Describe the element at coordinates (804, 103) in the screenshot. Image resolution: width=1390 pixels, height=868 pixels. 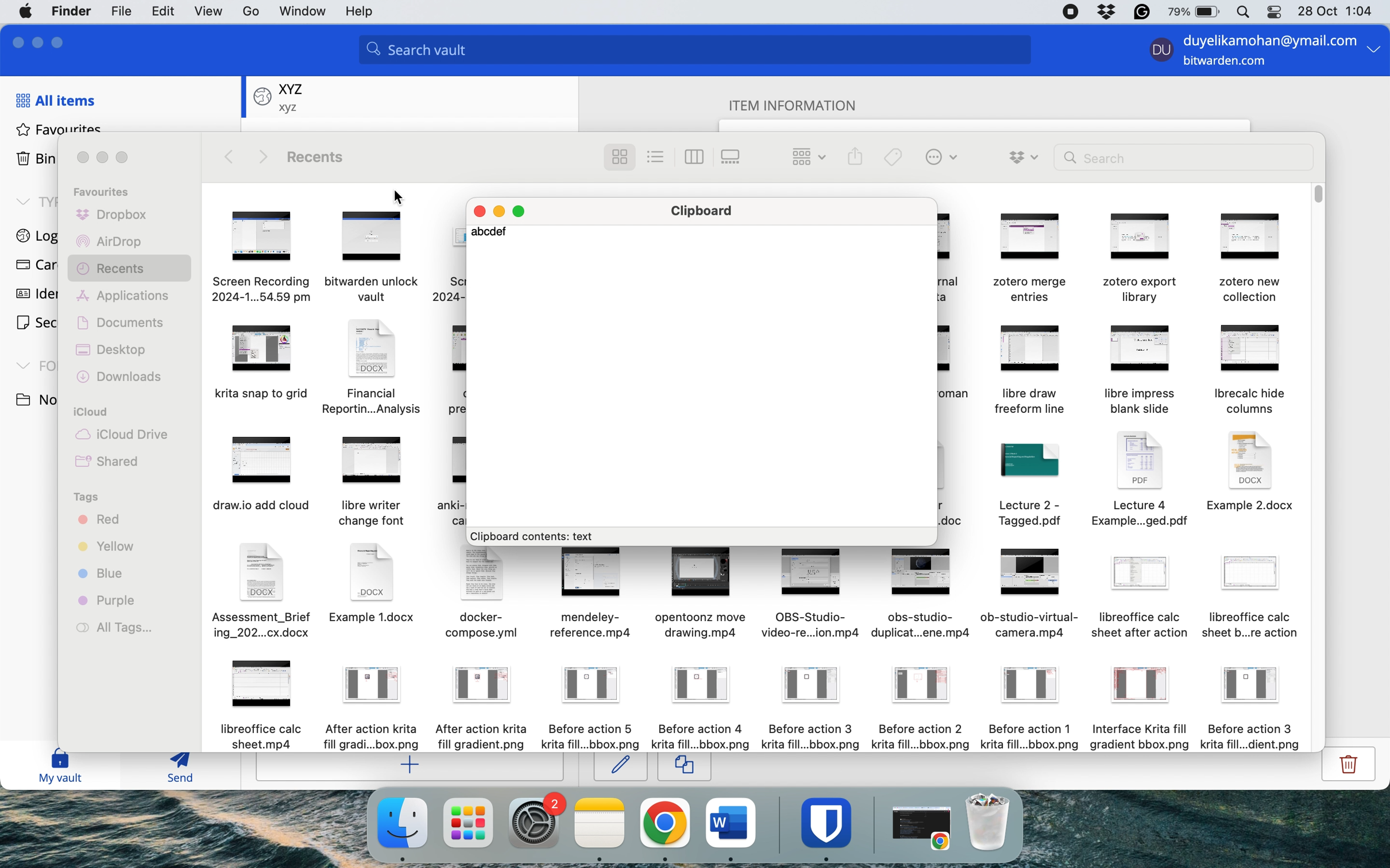
I see `item information` at that location.